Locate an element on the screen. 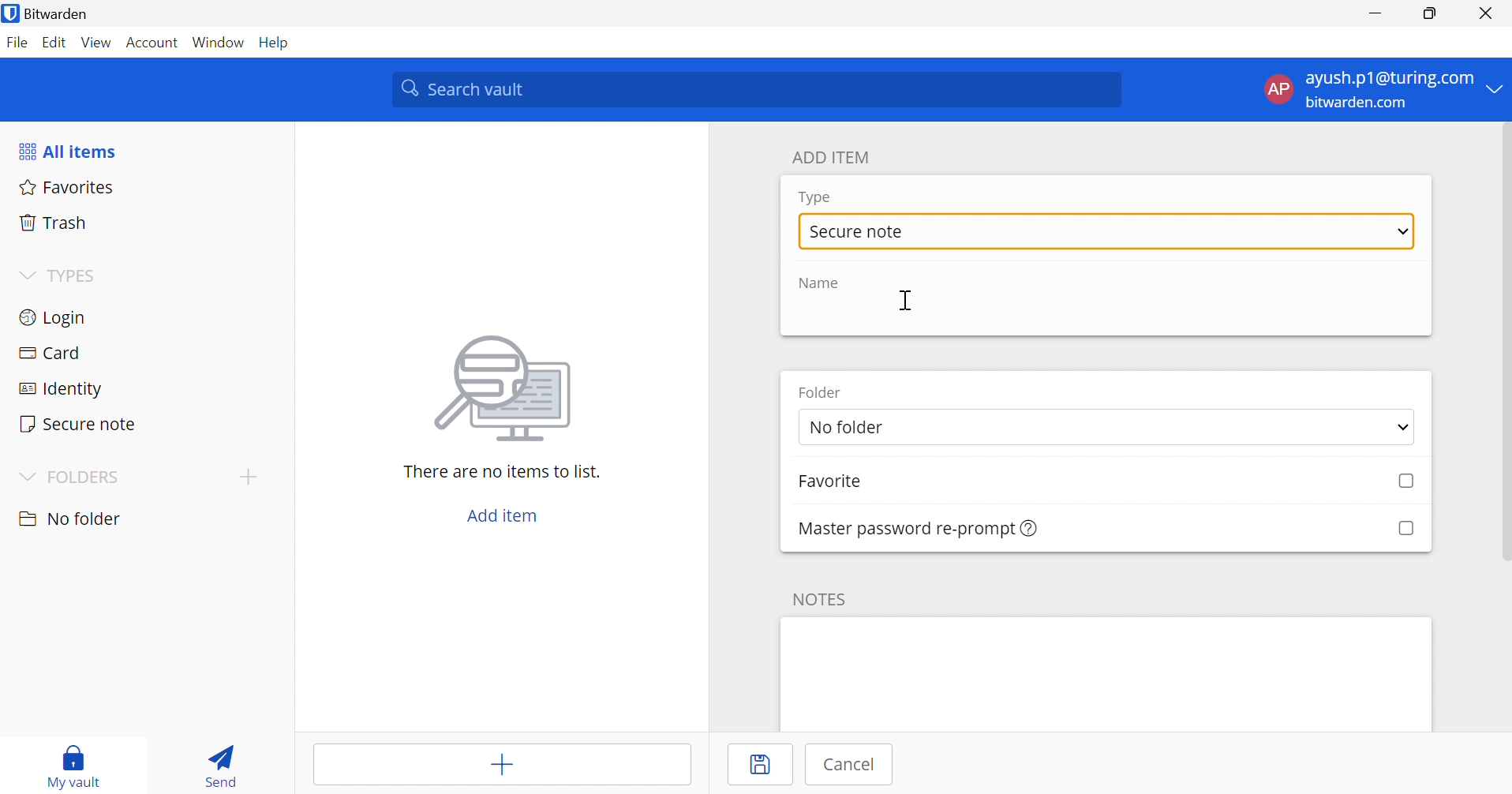  Vertical scrollbar is located at coordinates (1503, 343).